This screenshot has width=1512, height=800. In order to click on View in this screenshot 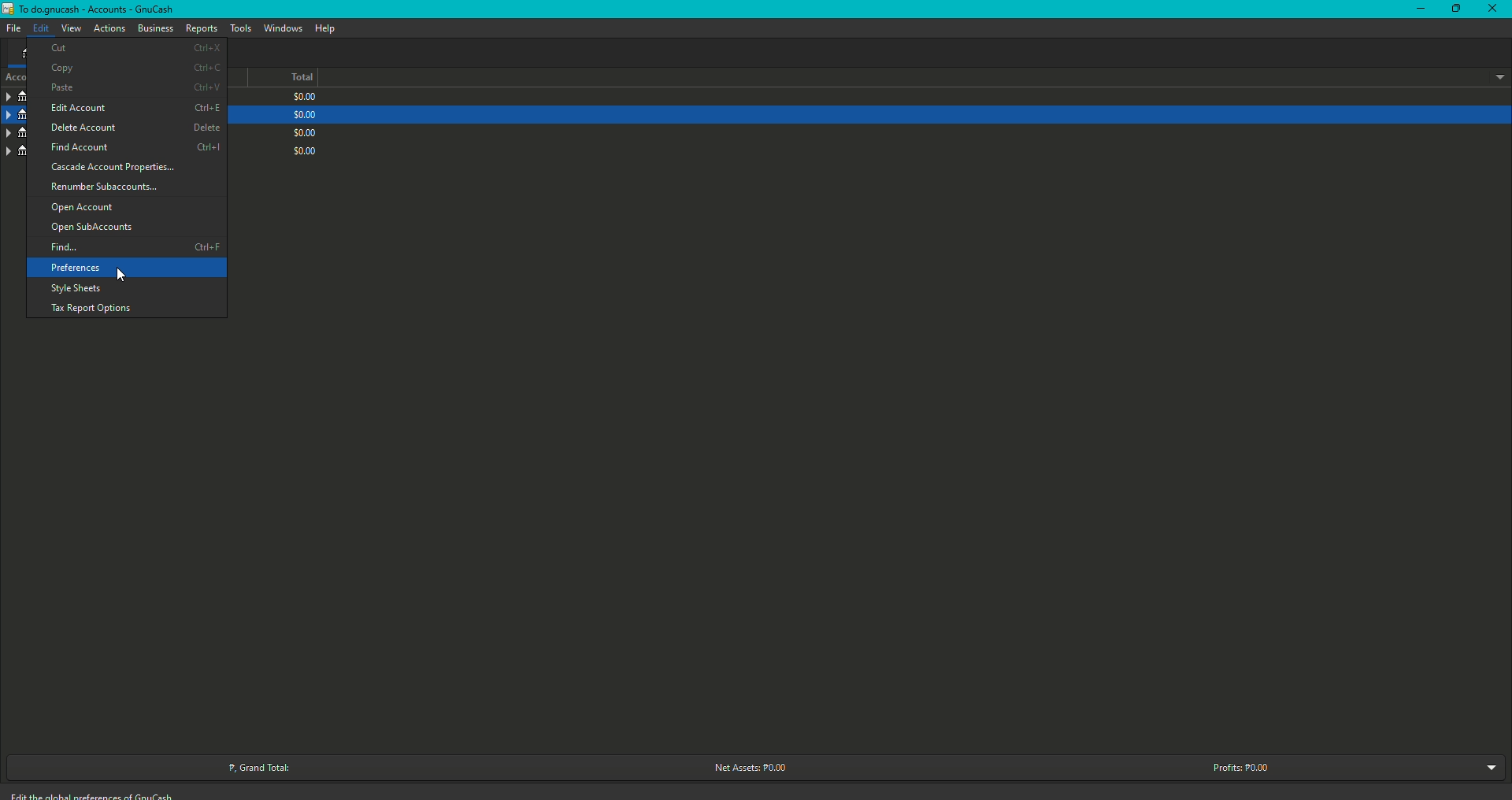, I will do `click(70, 28)`.